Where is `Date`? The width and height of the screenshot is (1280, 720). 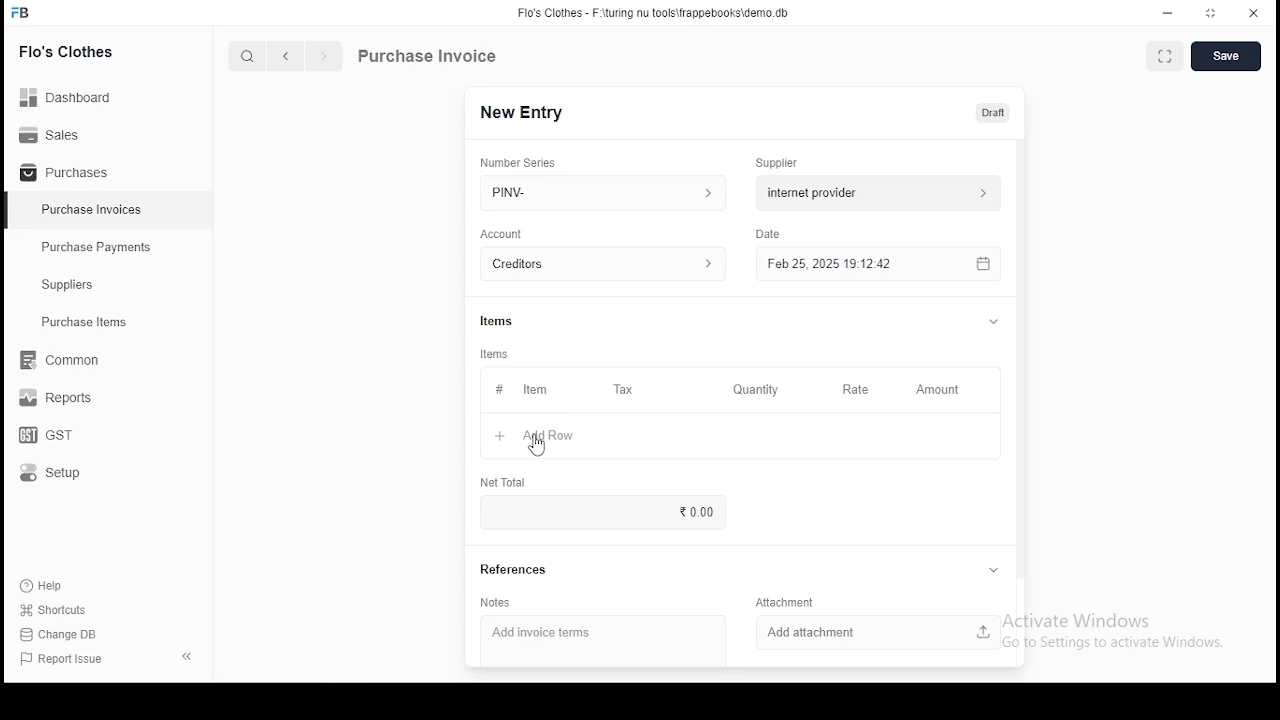 Date is located at coordinates (770, 235).